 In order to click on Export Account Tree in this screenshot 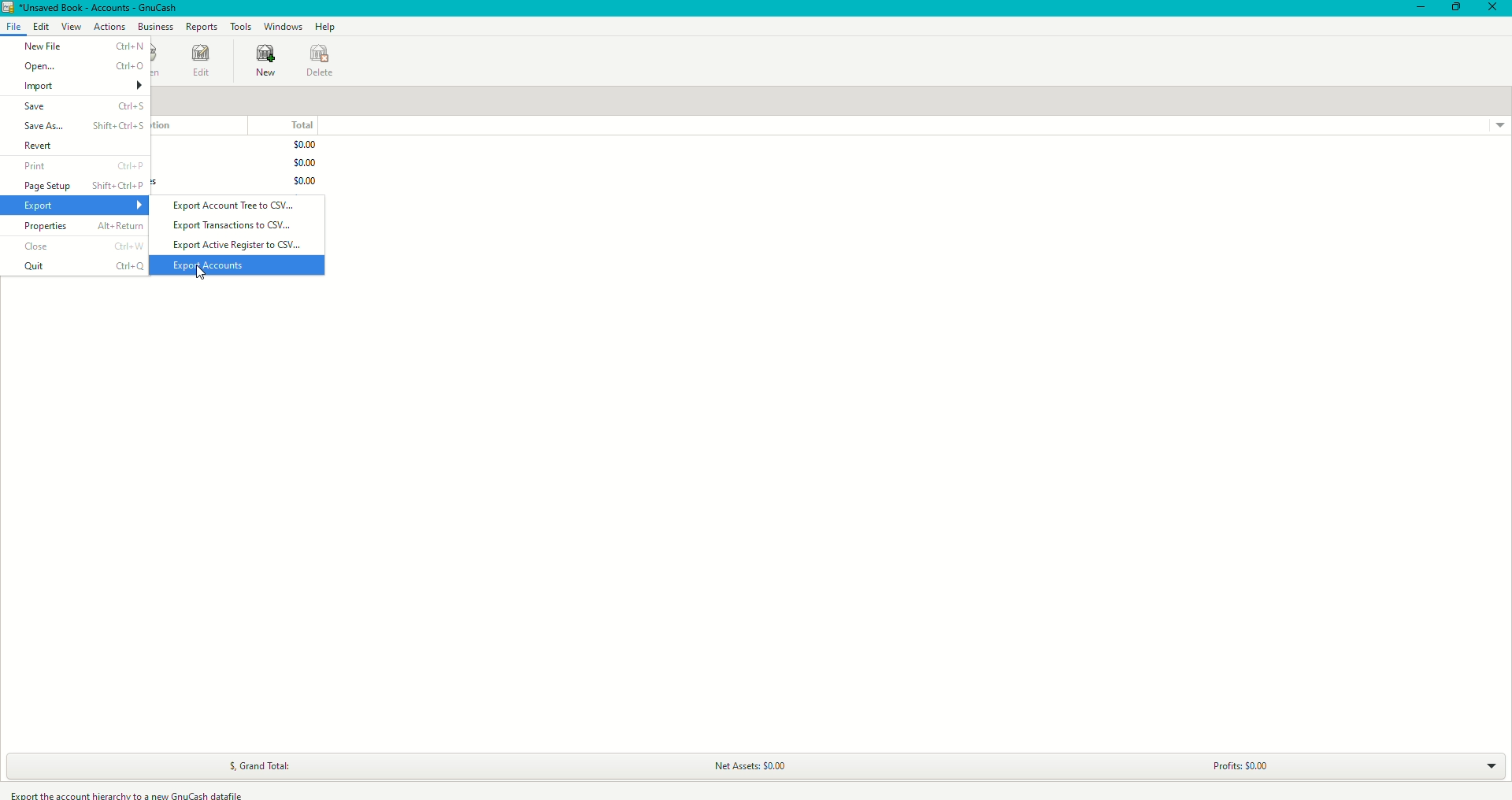, I will do `click(239, 204)`.